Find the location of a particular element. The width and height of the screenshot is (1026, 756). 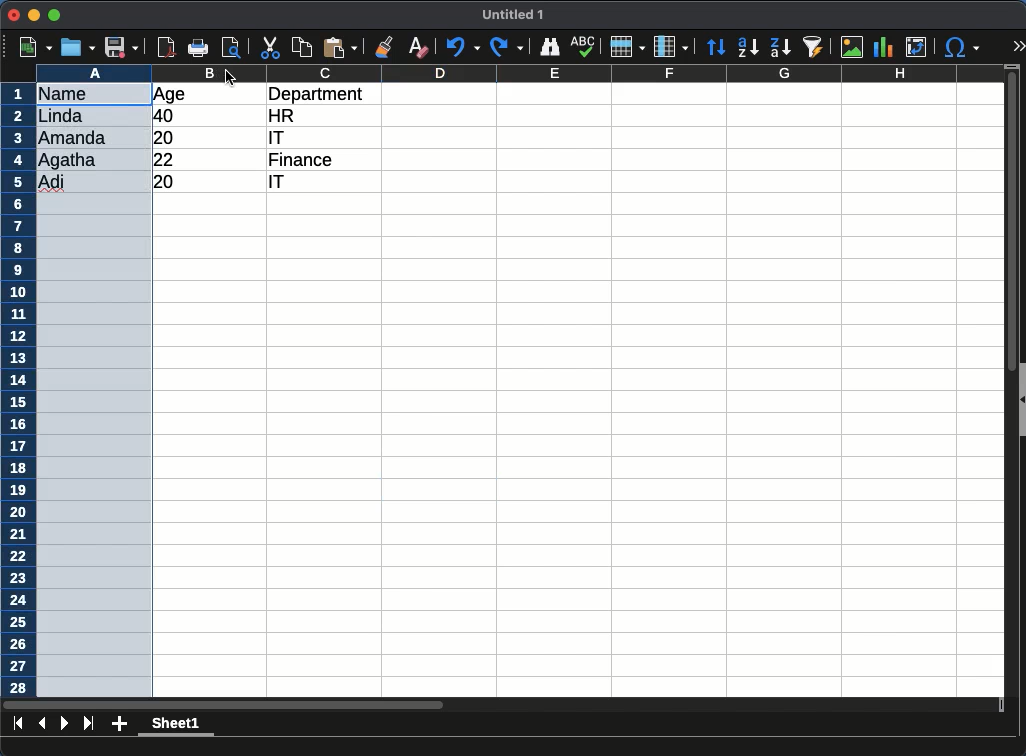

20 is located at coordinates (177, 182).